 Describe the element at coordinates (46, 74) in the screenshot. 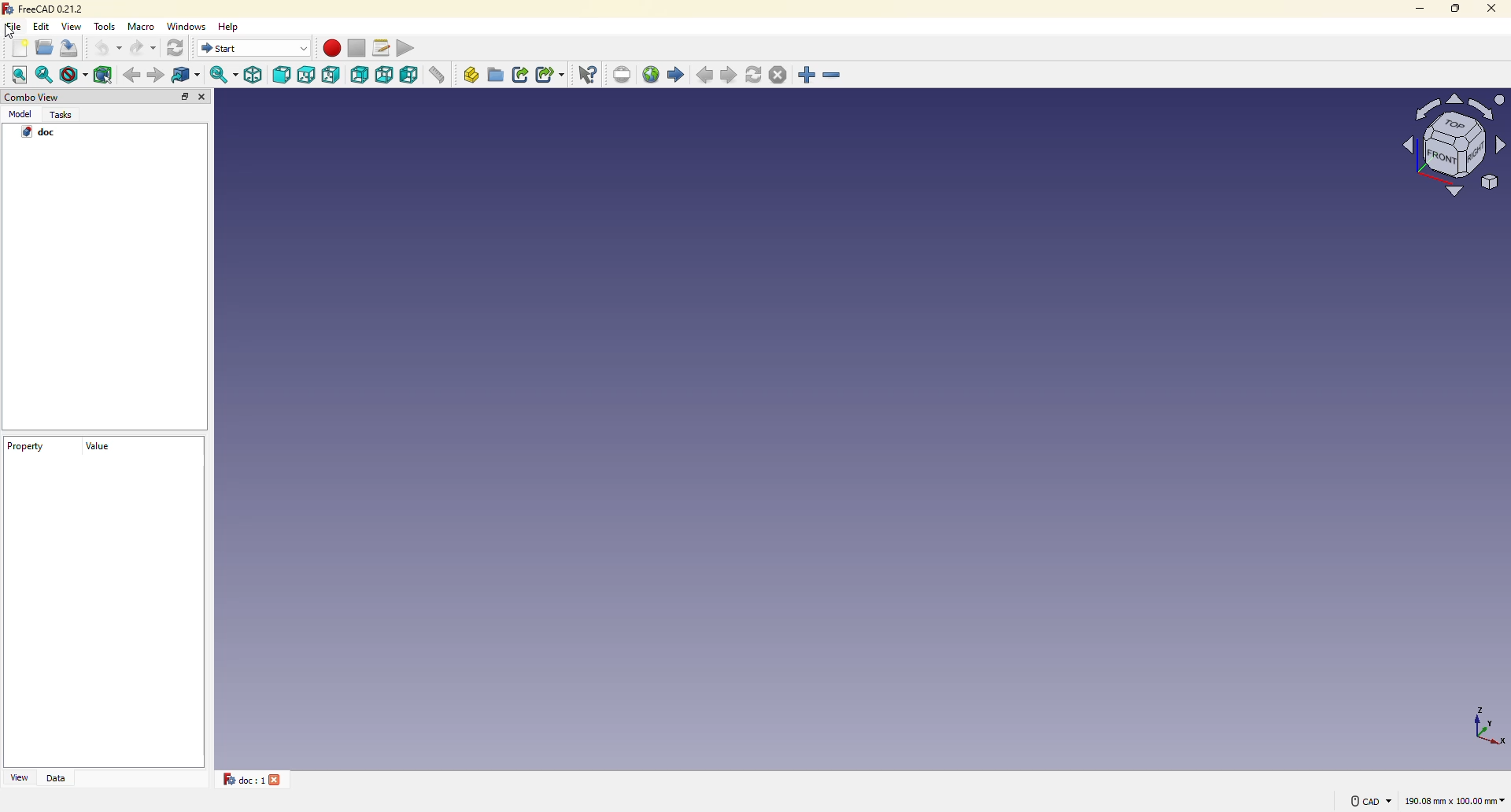

I see `fit selection` at that location.